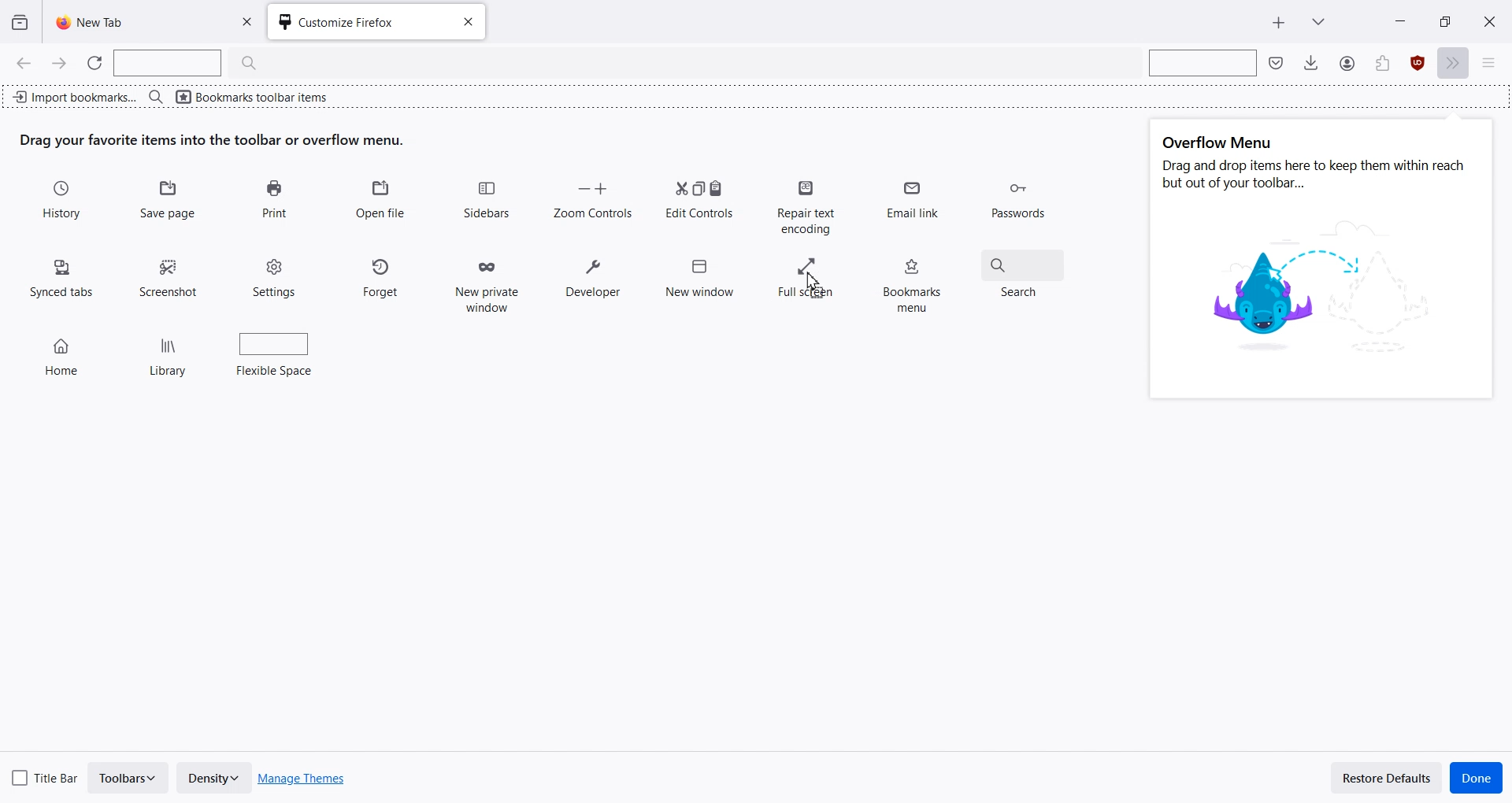  I want to click on Print, so click(274, 200).